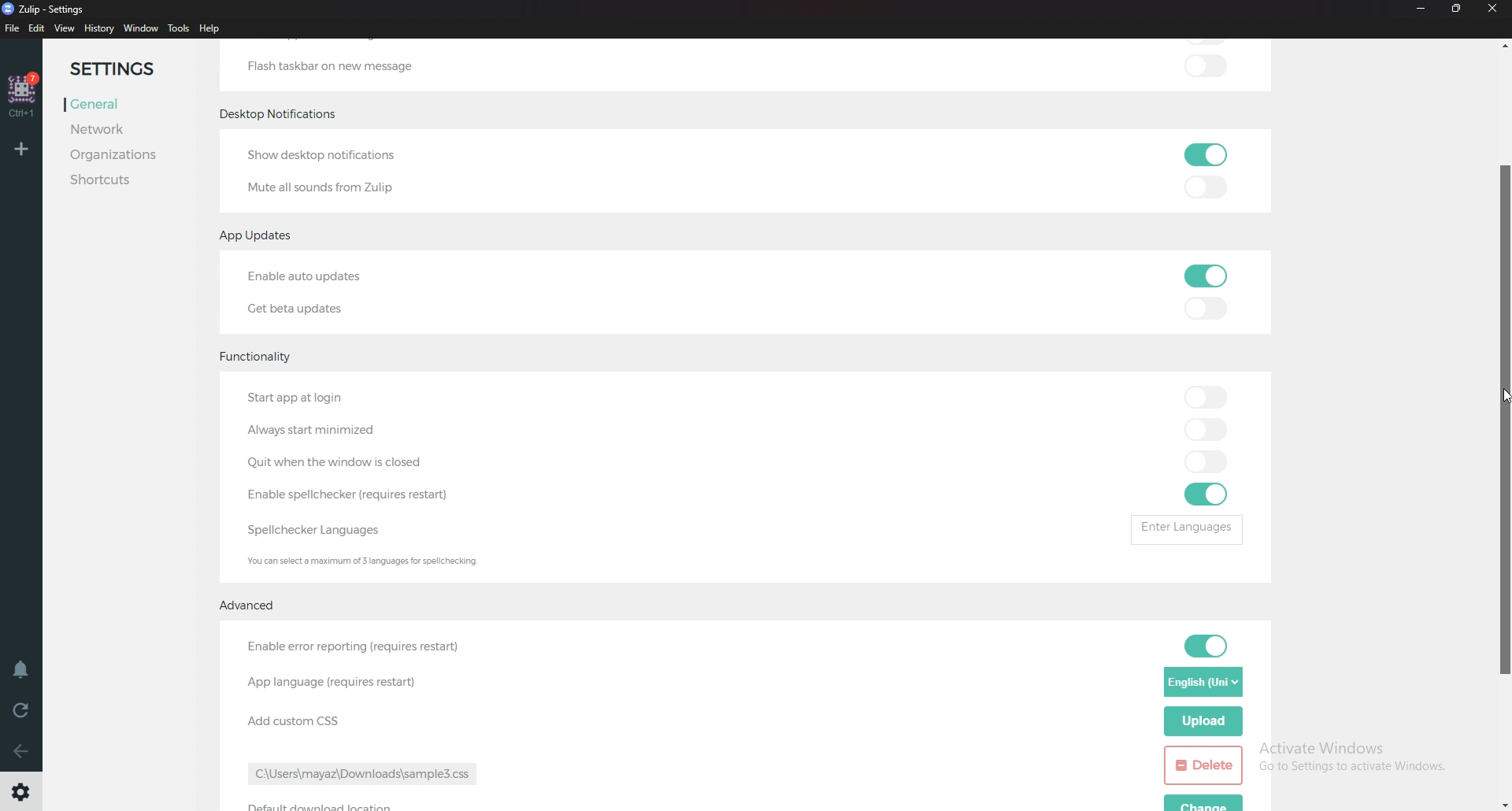 Image resolution: width=1512 pixels, height=811 pixels. Describe the element at coordinates (117, 155) in the screenshot. I see `Organizations` at that location.